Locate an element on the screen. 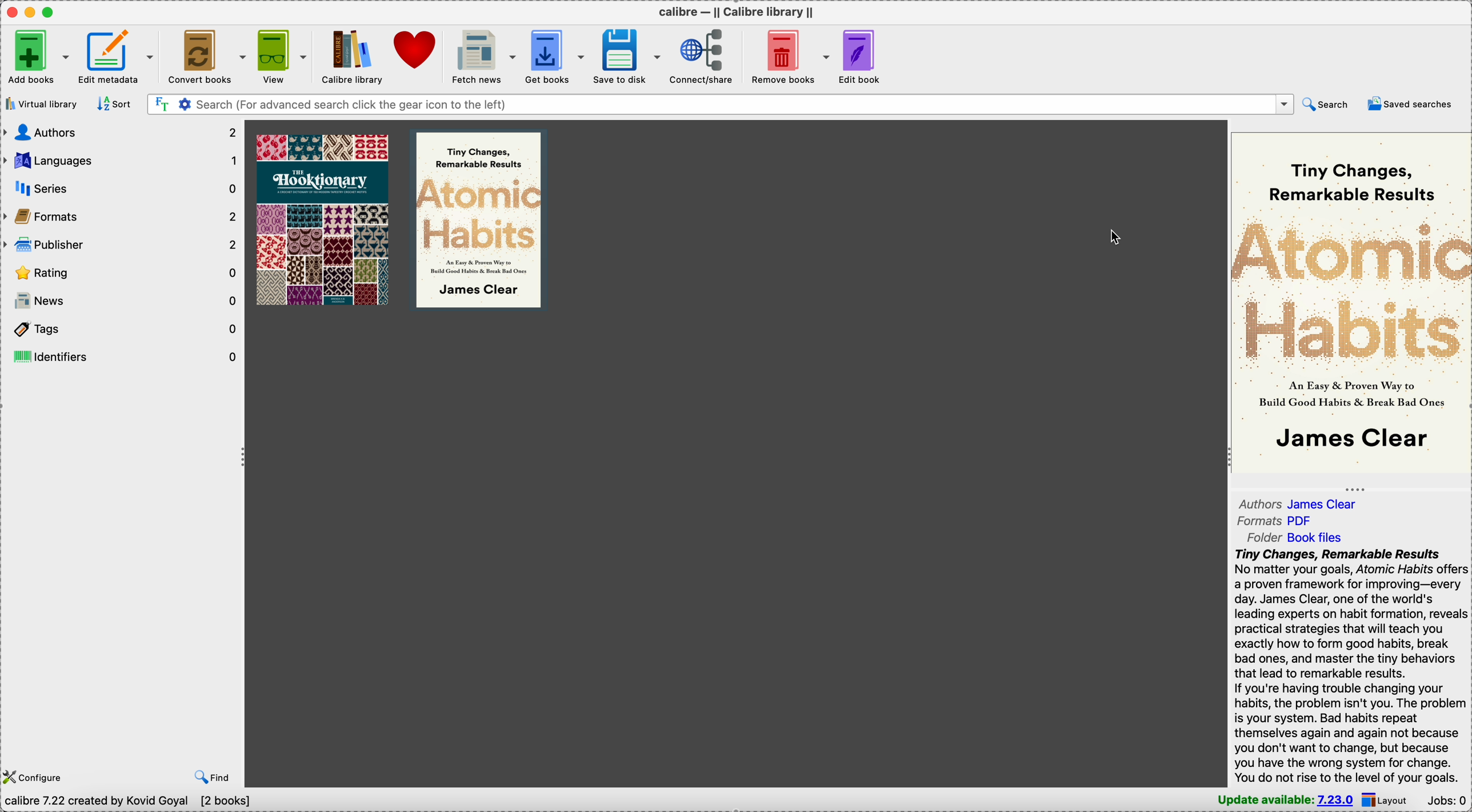 The image size is (1472, 812). folder Book files is located at coordinates (1295, 537).